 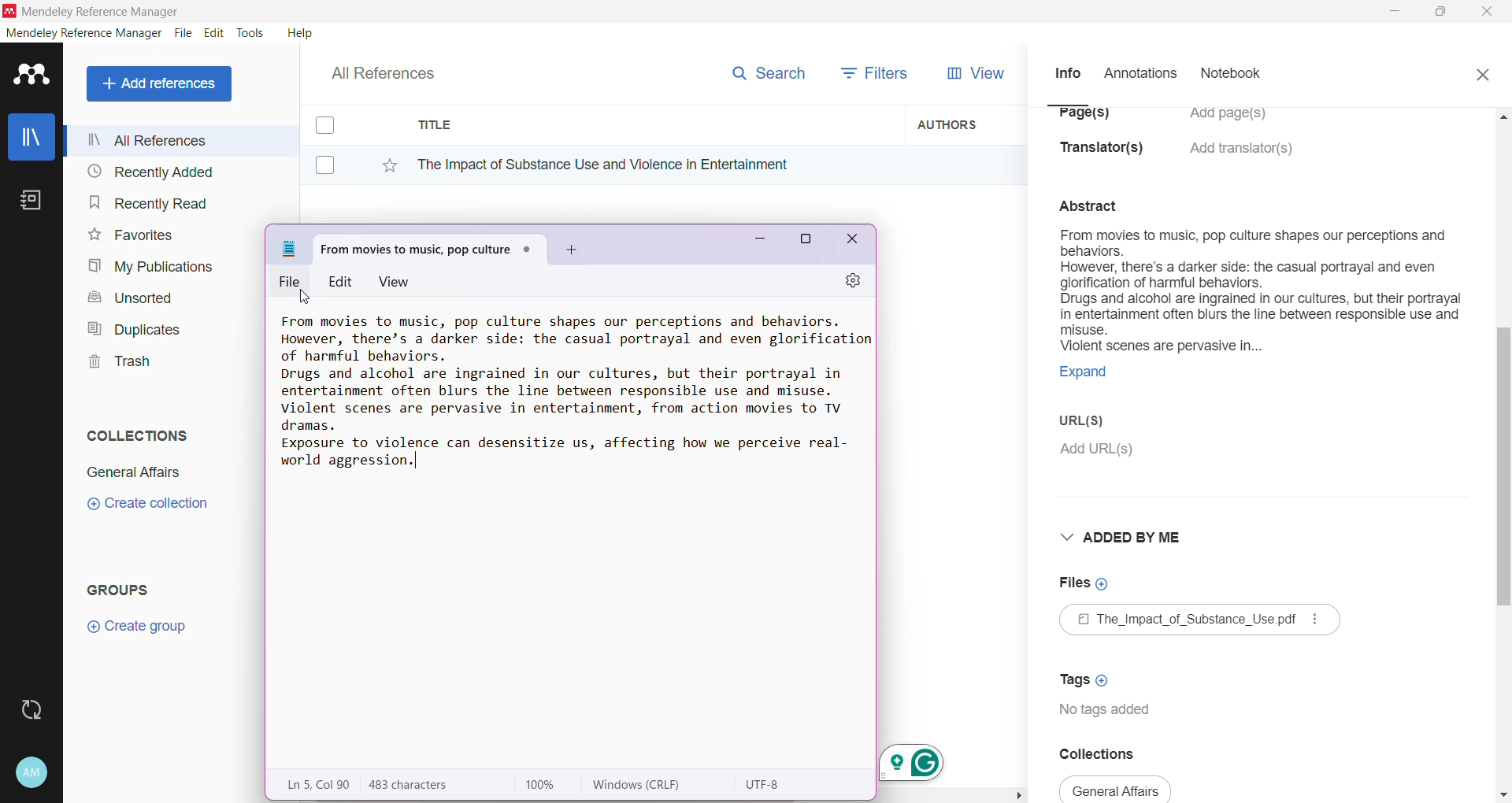 What do you see at coordinates (1236, 121) in the screenshot?
I see `Click to Add Pages` at bounding box center [1236, 121].